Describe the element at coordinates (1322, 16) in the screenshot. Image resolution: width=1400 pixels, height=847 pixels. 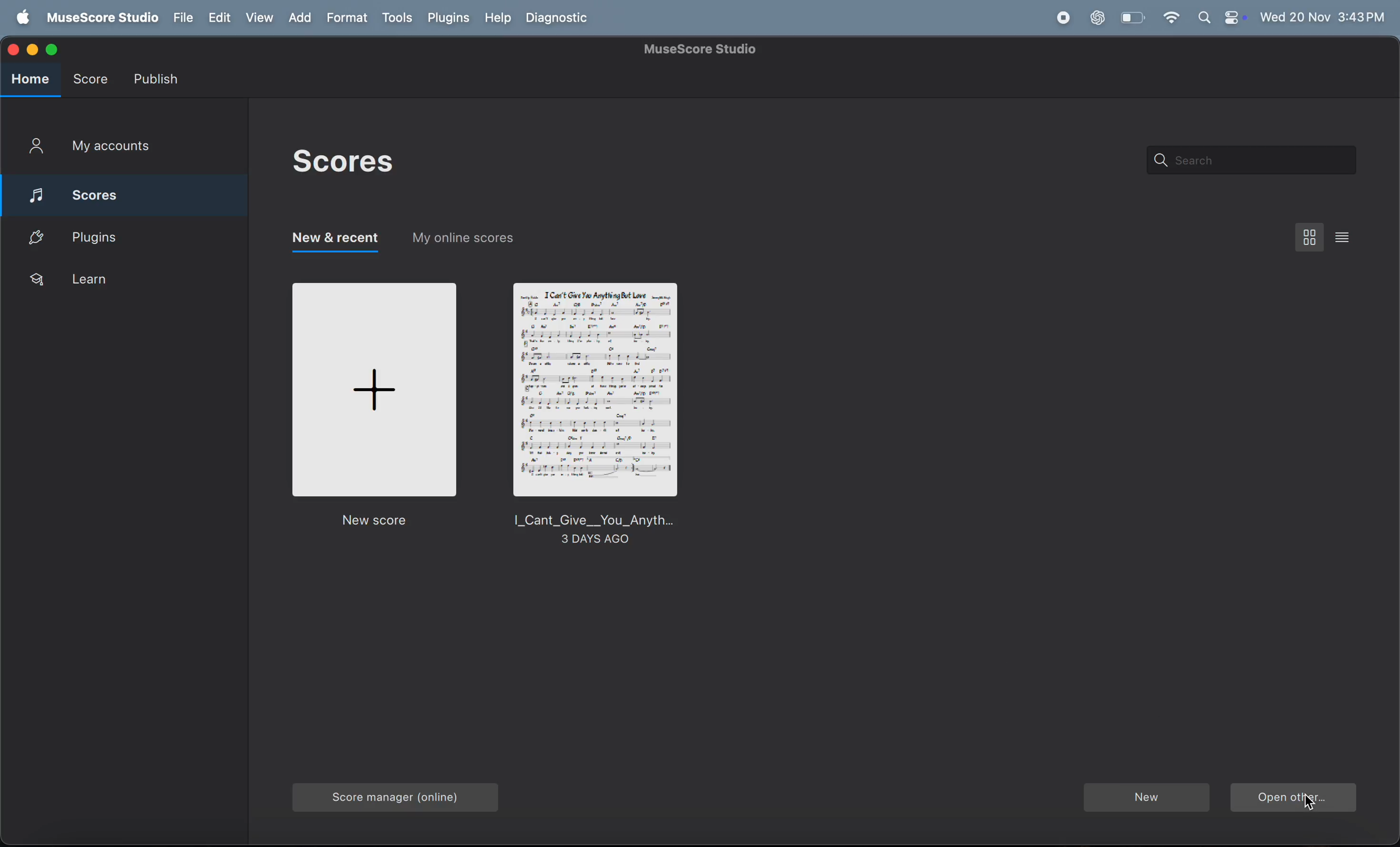
I see `time and date` at that location.